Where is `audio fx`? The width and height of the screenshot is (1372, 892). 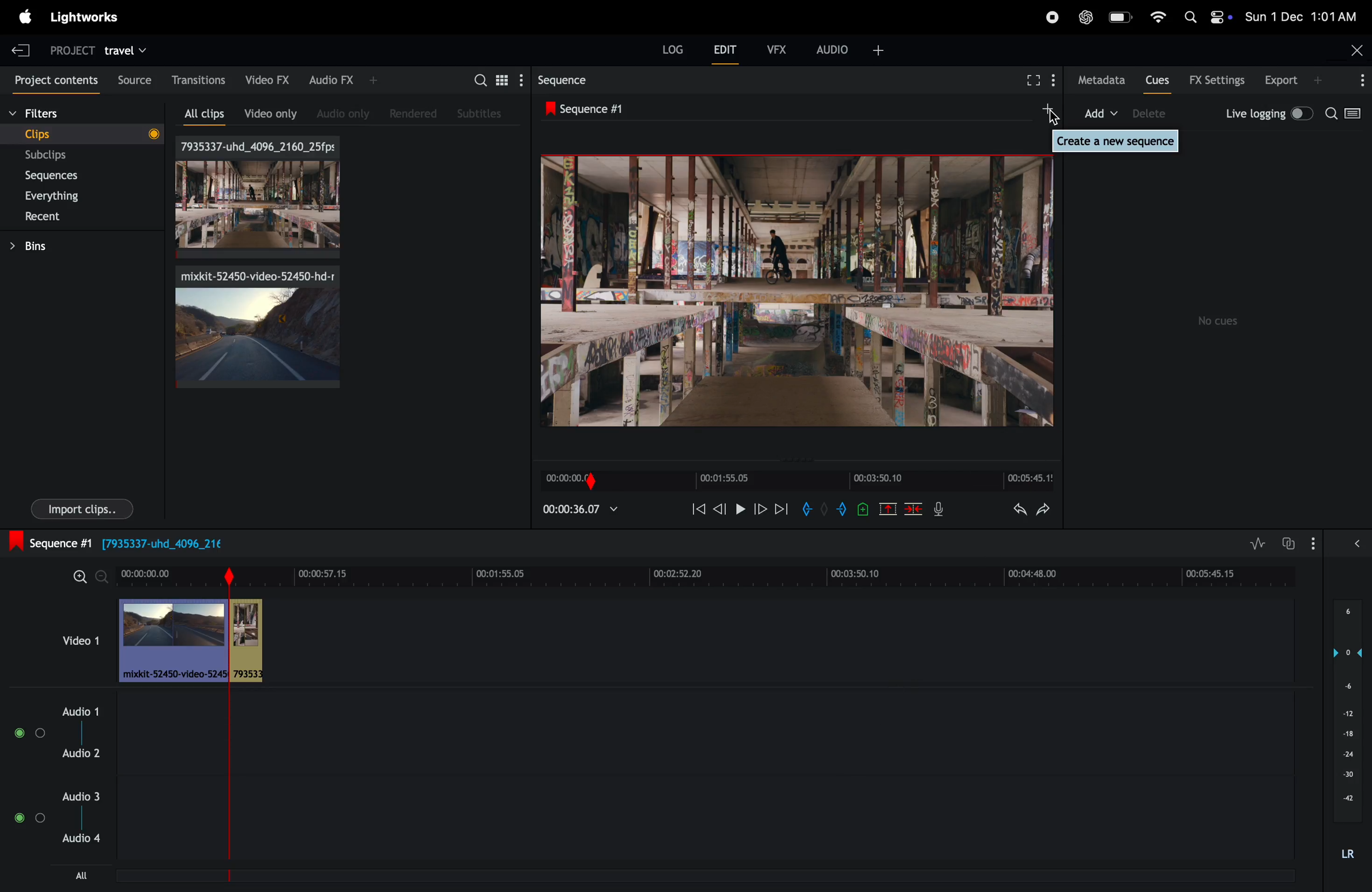
audio fx is located at coordinates (344, 81).